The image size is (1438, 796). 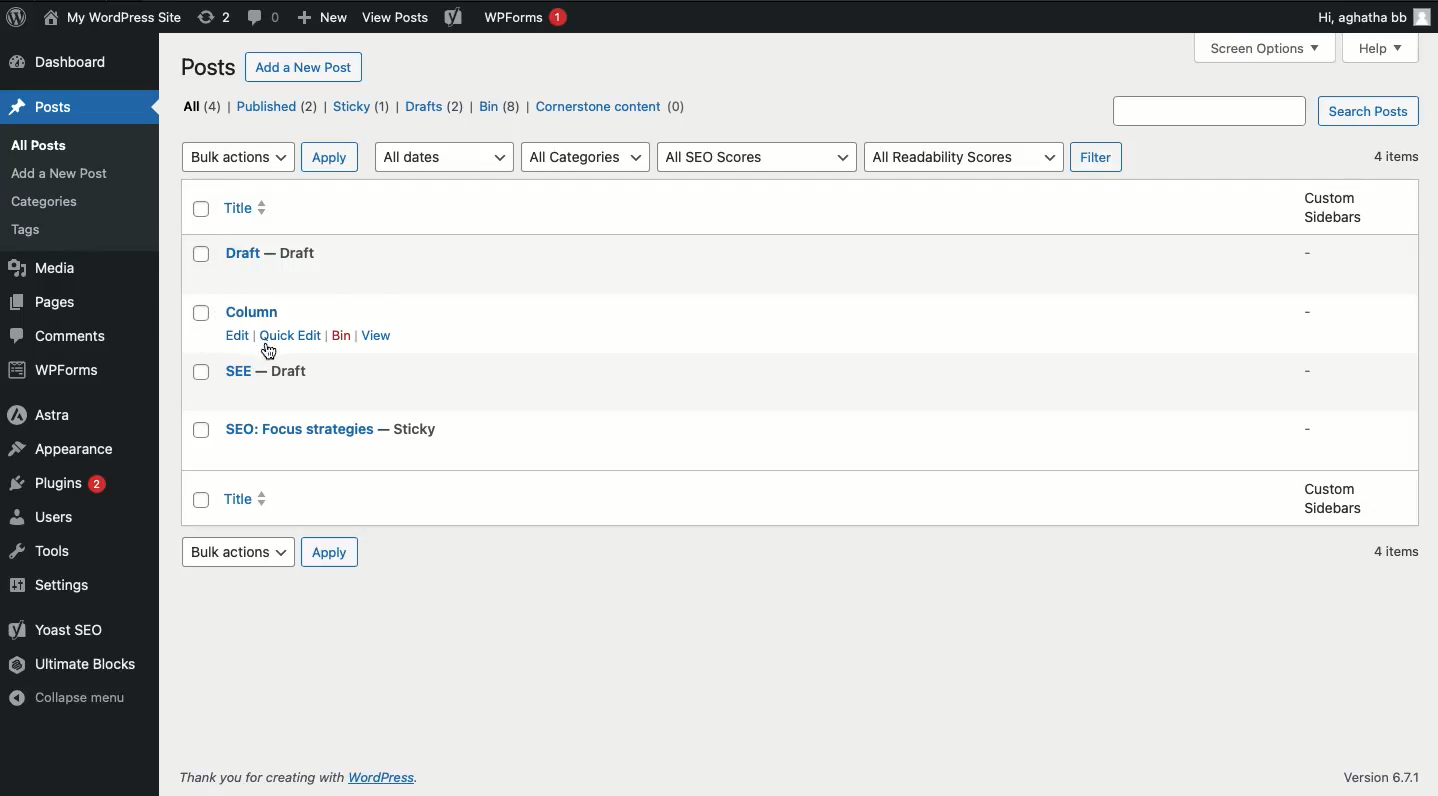 What do you see at coordinates (70, 63) in the screenshot?
I see `Dashboard` at bounding box center [70, 63].